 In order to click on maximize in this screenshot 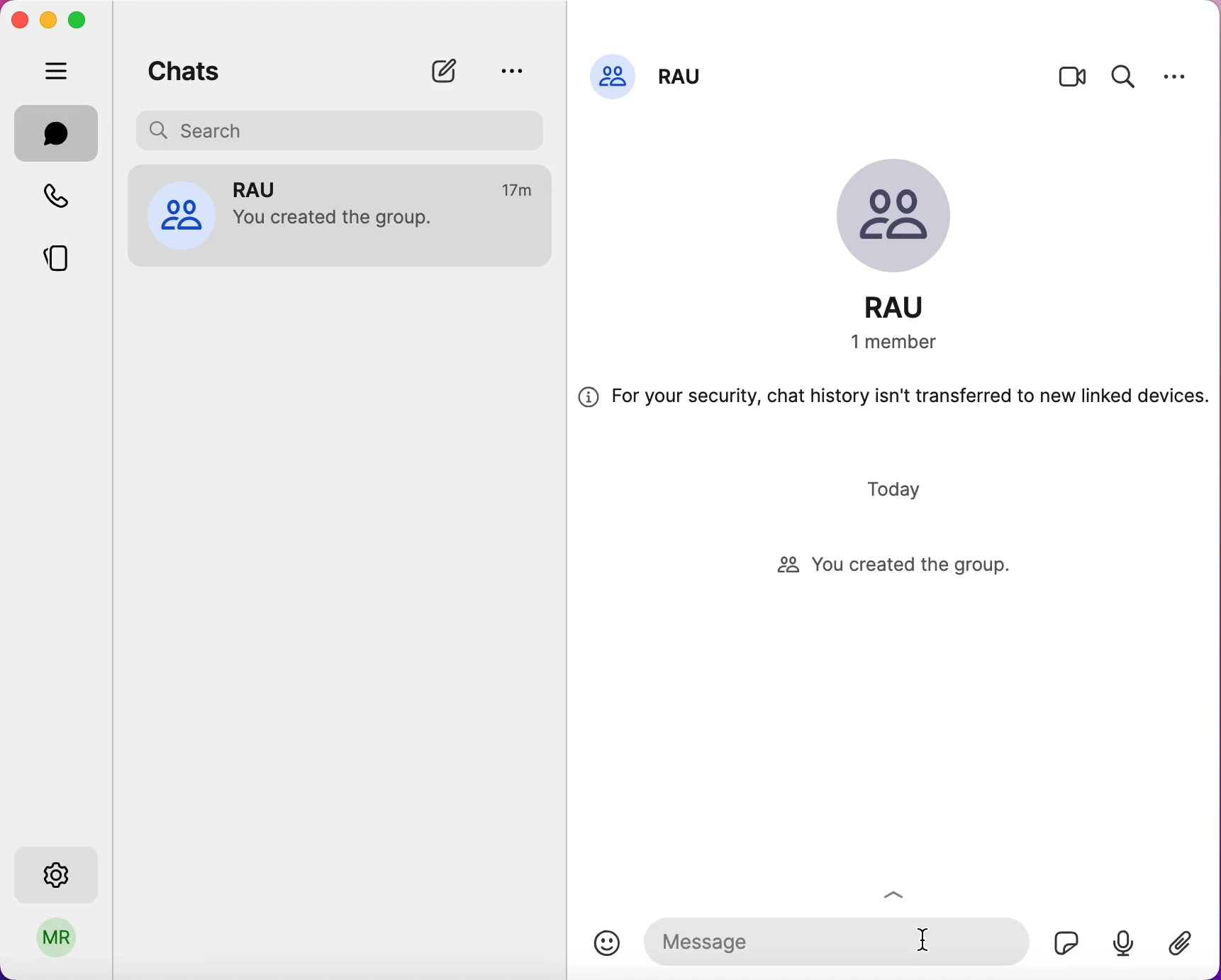, I will do `click(82, 21)`.